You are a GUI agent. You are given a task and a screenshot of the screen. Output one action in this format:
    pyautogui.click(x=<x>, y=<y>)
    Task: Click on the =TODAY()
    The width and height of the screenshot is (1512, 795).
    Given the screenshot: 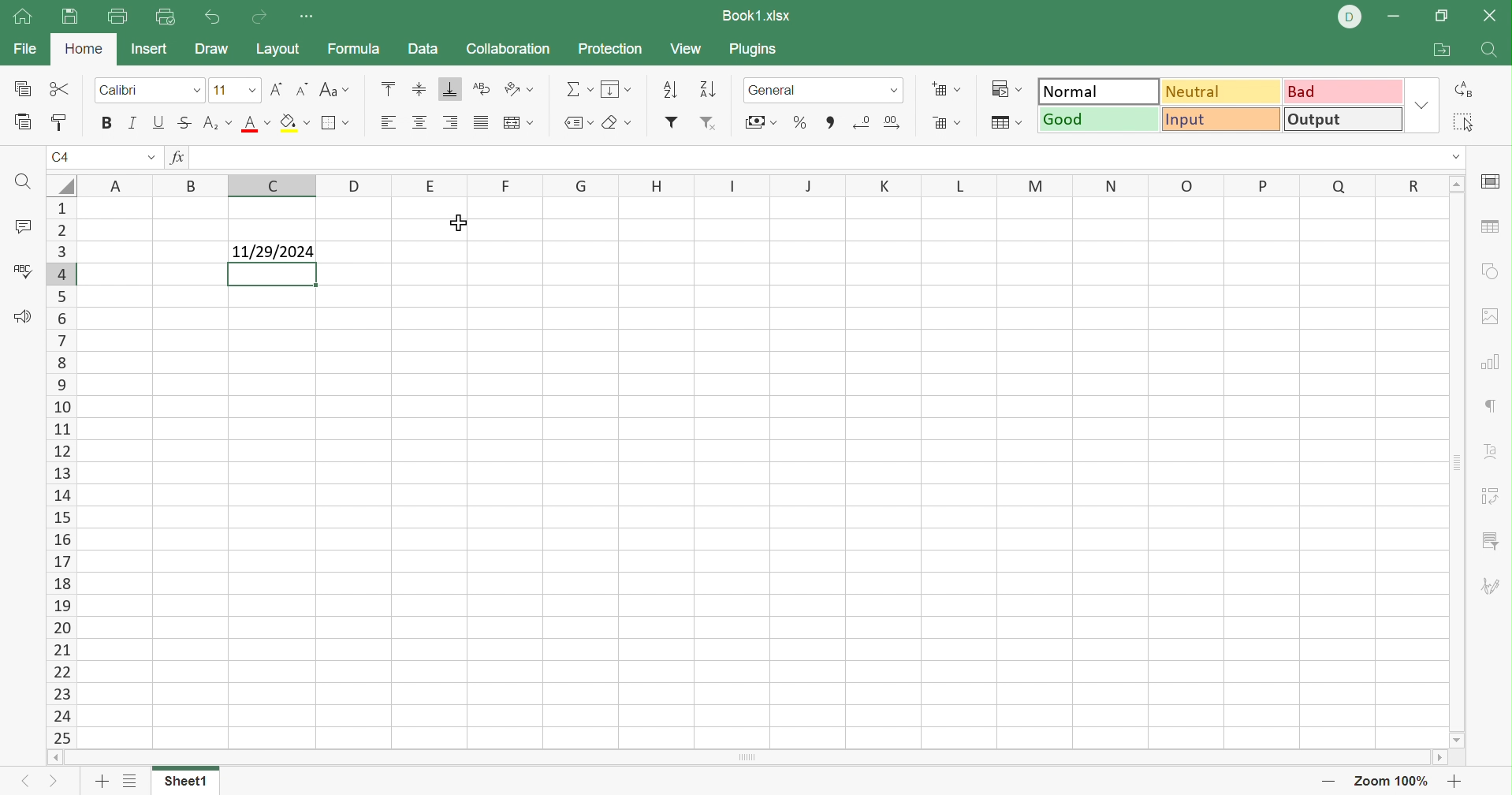 What is the action you would take?
    pyautogui.click(x=229, y=156)
    